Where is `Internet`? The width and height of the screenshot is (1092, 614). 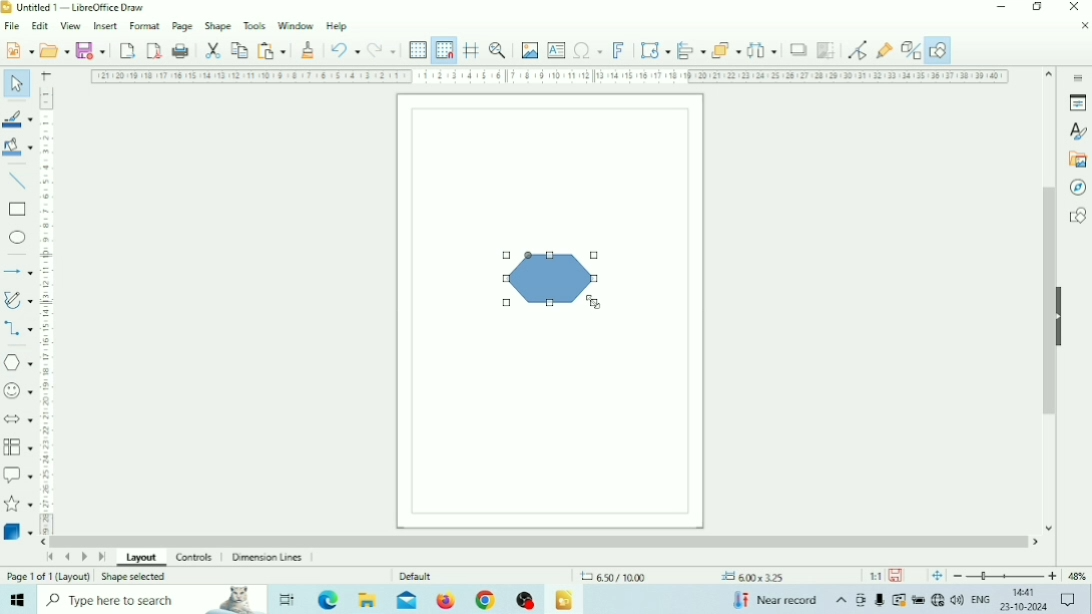 Internet is located at coordinates (938, 599).